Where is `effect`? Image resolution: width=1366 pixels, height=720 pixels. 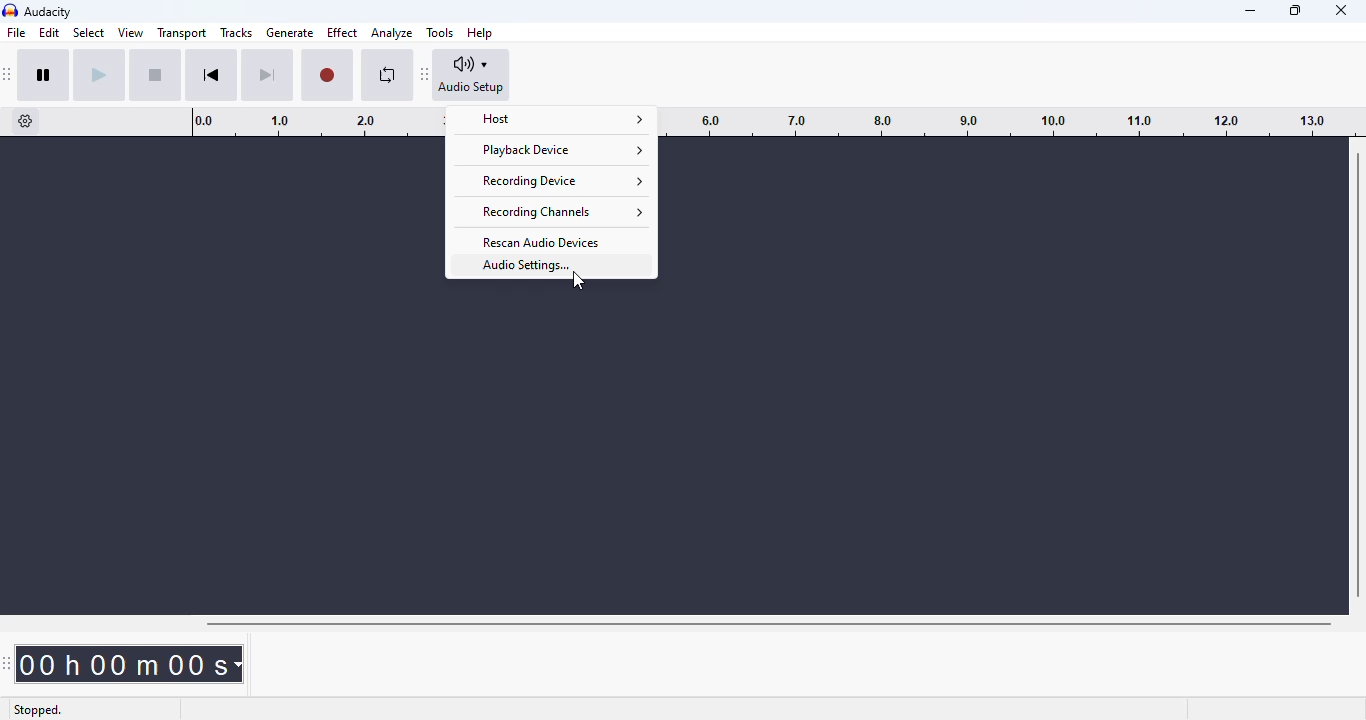
effect is located at coordinates (342, 33).